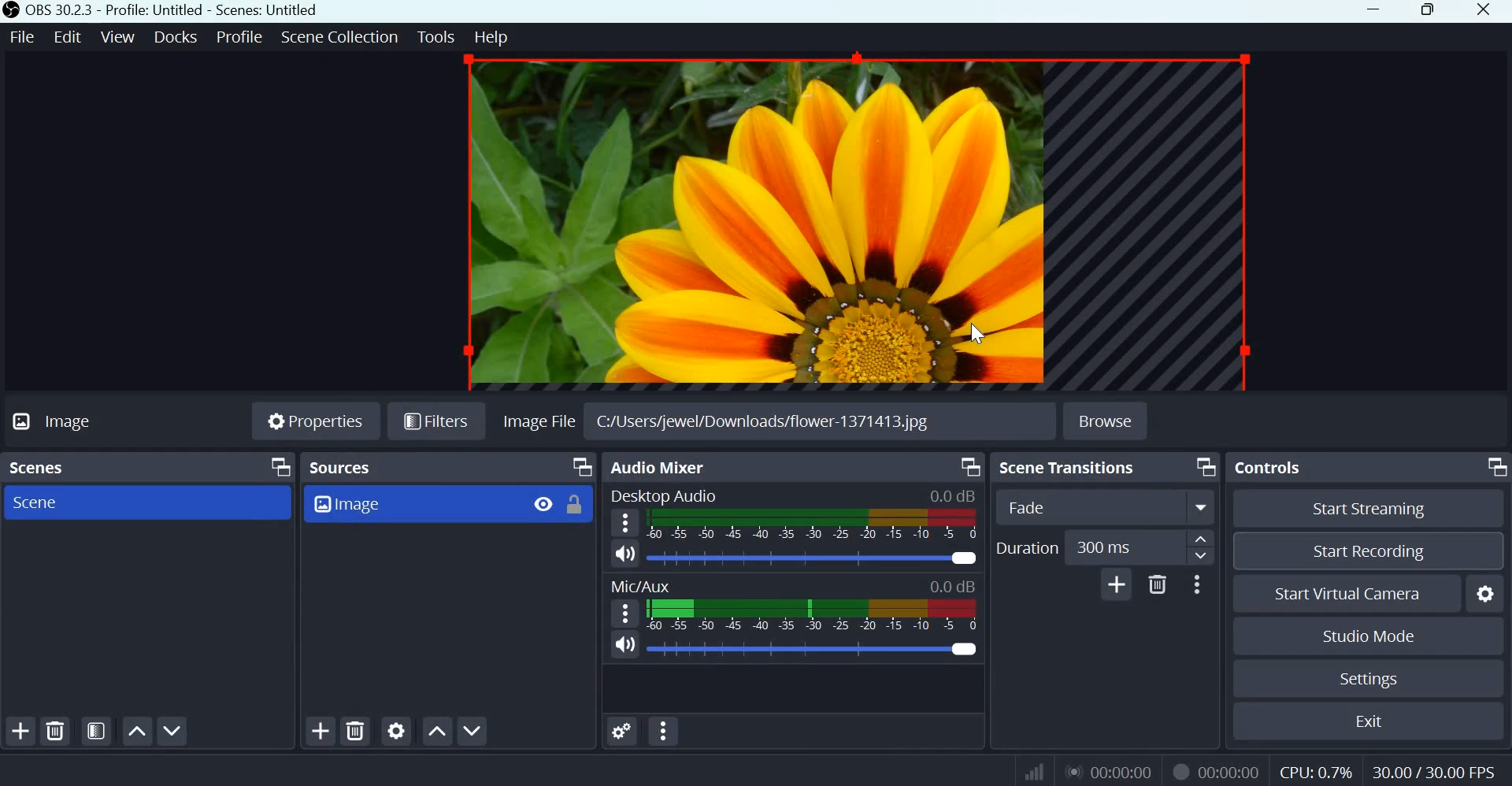  What do you see at coordinates (625, 523) in the screenshot?
I see `hamburger menu` at bounding box center [625, 523].